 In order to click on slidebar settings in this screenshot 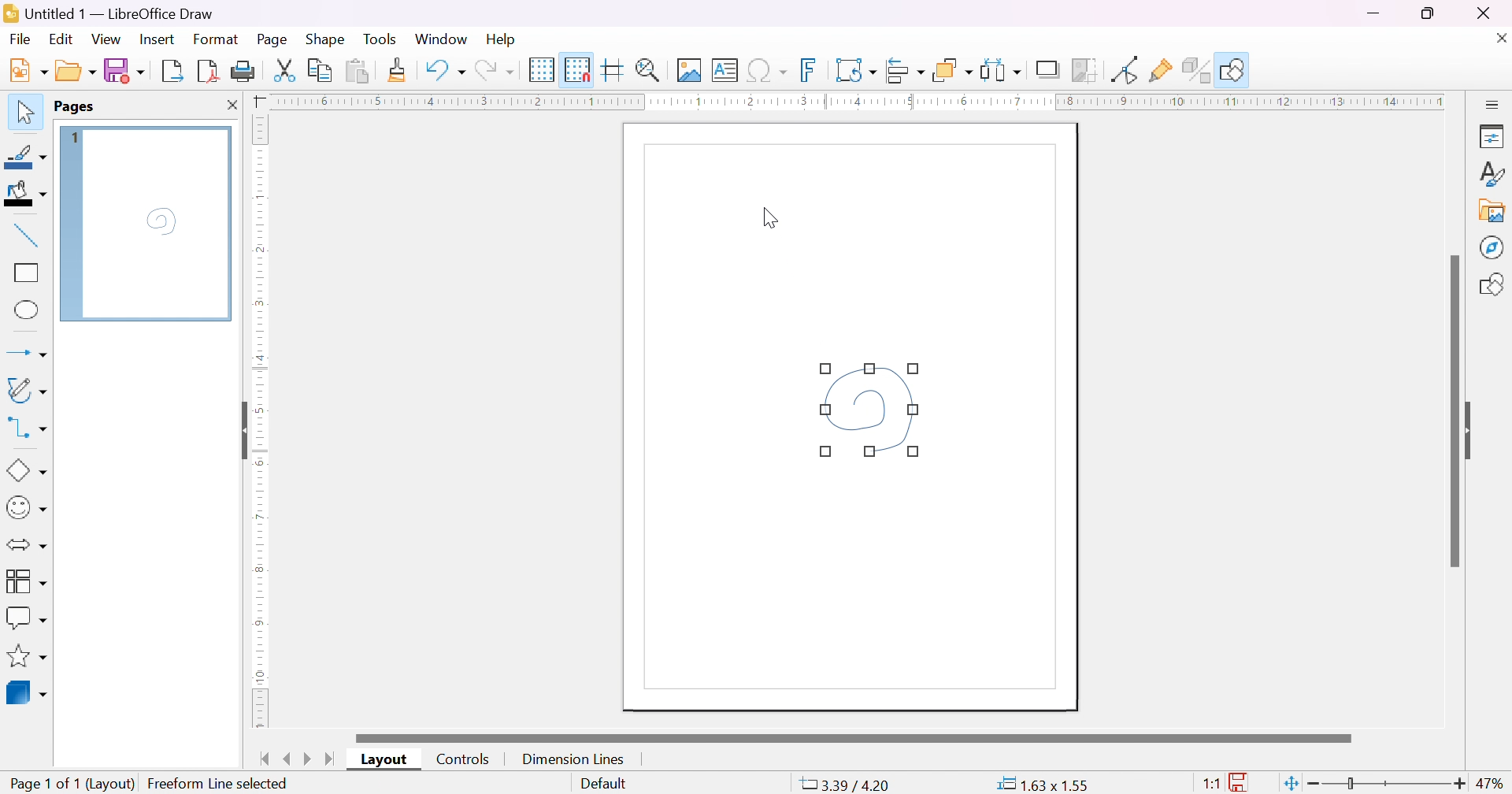, I will do `click(1493, 102)`.